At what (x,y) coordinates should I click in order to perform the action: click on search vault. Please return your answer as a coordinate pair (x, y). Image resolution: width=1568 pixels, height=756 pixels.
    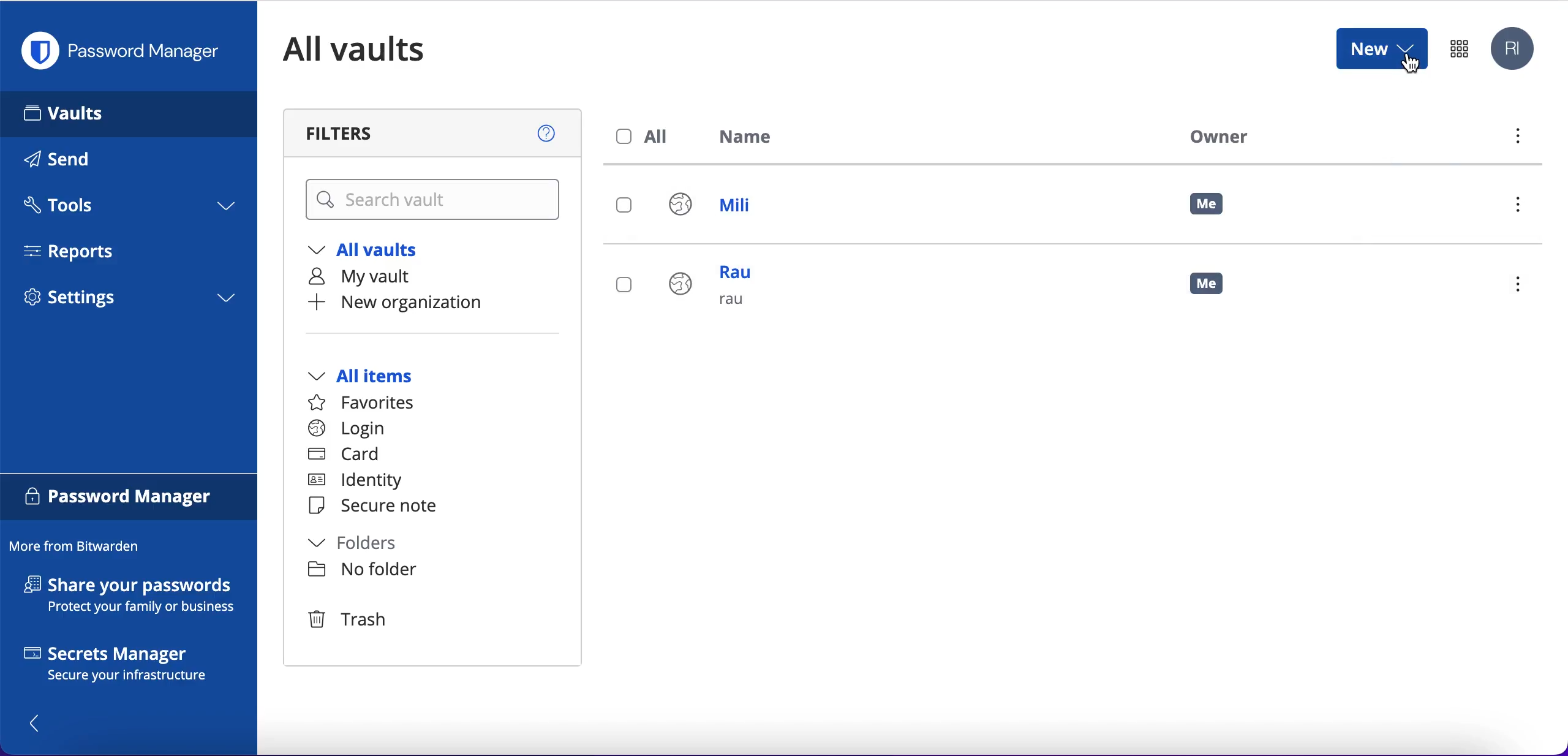
    Looking at the image, I should click on (435, 200).